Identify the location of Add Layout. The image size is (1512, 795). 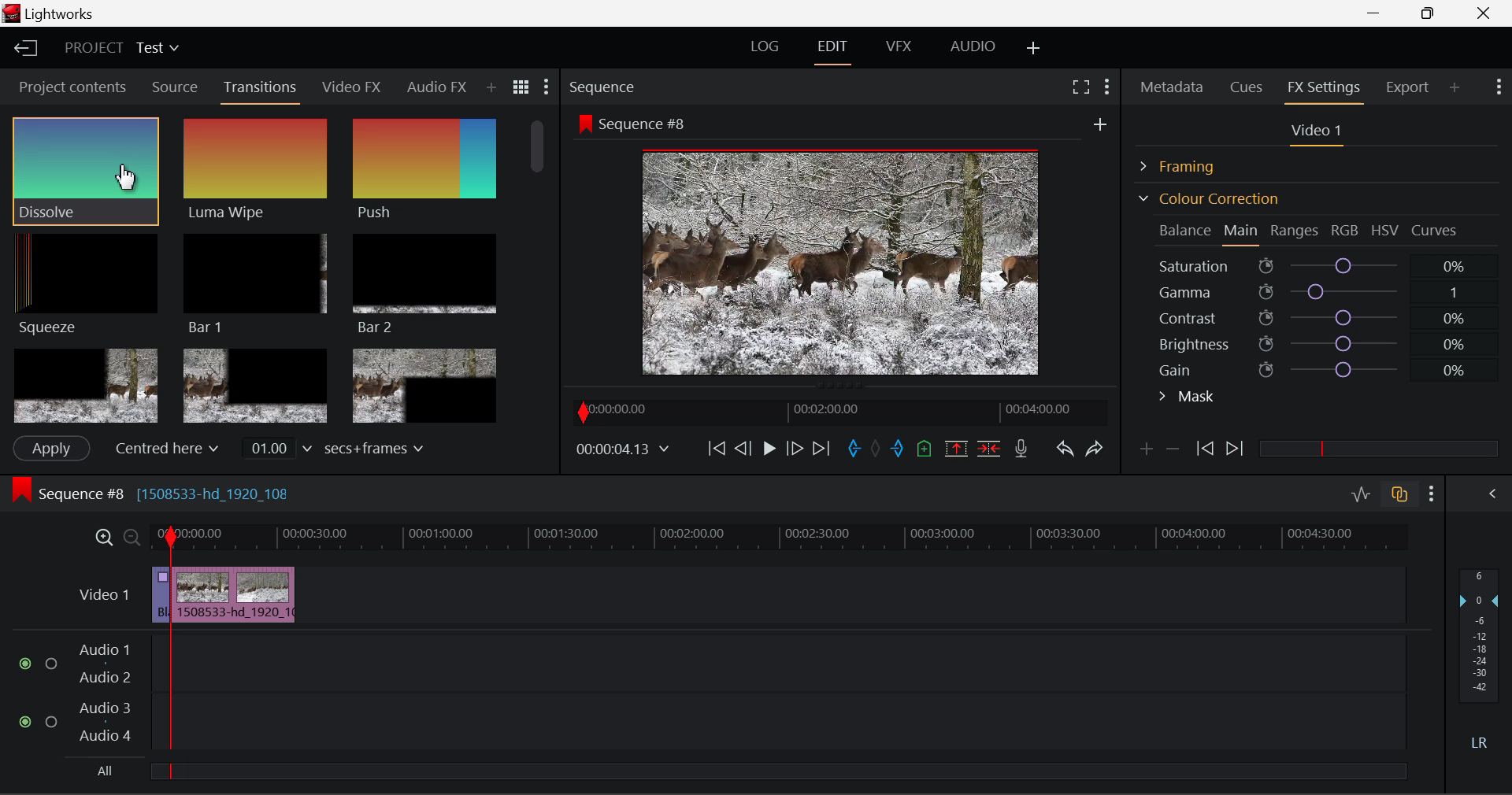
(1034, 49).